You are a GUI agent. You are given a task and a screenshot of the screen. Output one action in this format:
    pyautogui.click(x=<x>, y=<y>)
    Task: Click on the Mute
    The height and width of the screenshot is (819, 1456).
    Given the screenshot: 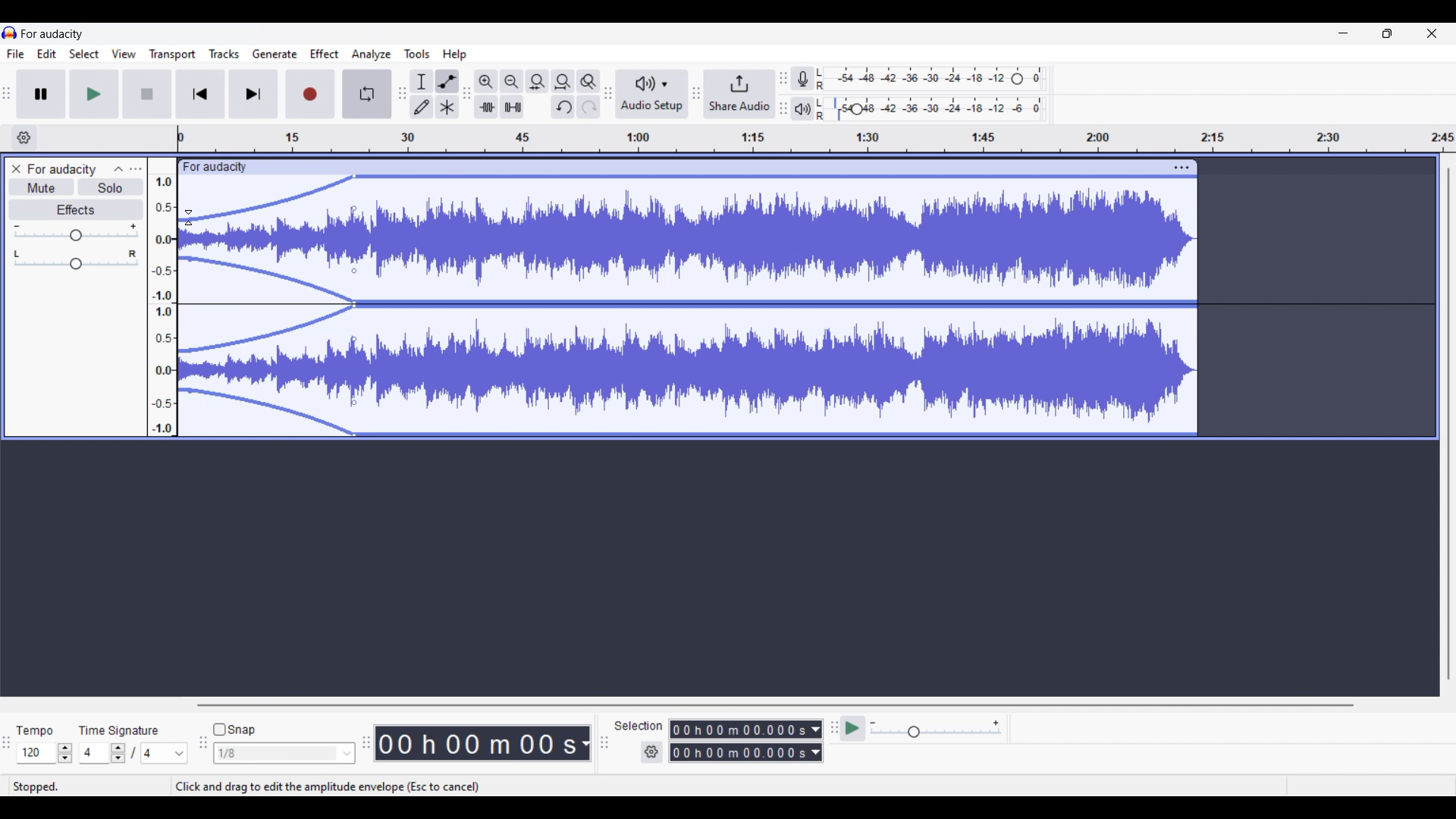 What is the action you would take?
    pyautogui.click(x=42, y=189)
    